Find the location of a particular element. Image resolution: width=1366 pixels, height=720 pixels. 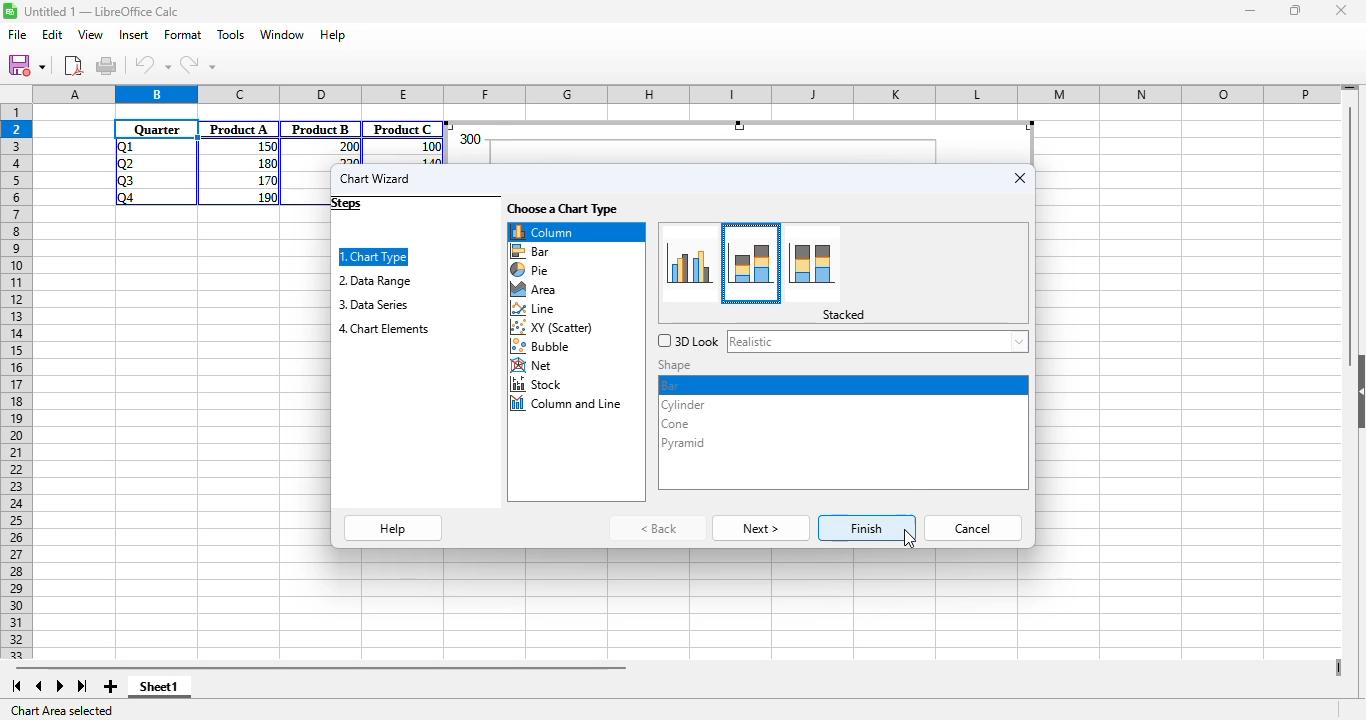

add new sheet is located at coordinates (108, 686).